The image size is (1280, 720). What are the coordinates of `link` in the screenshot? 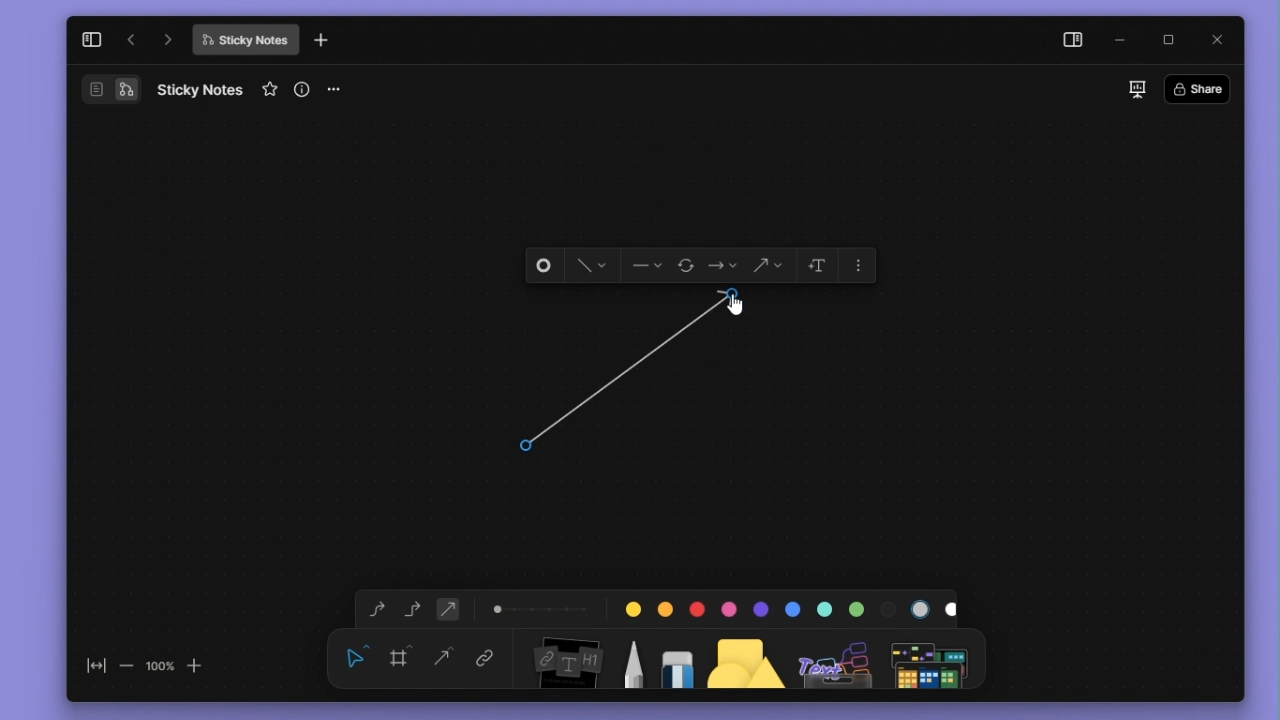 It's located at (485, 660).